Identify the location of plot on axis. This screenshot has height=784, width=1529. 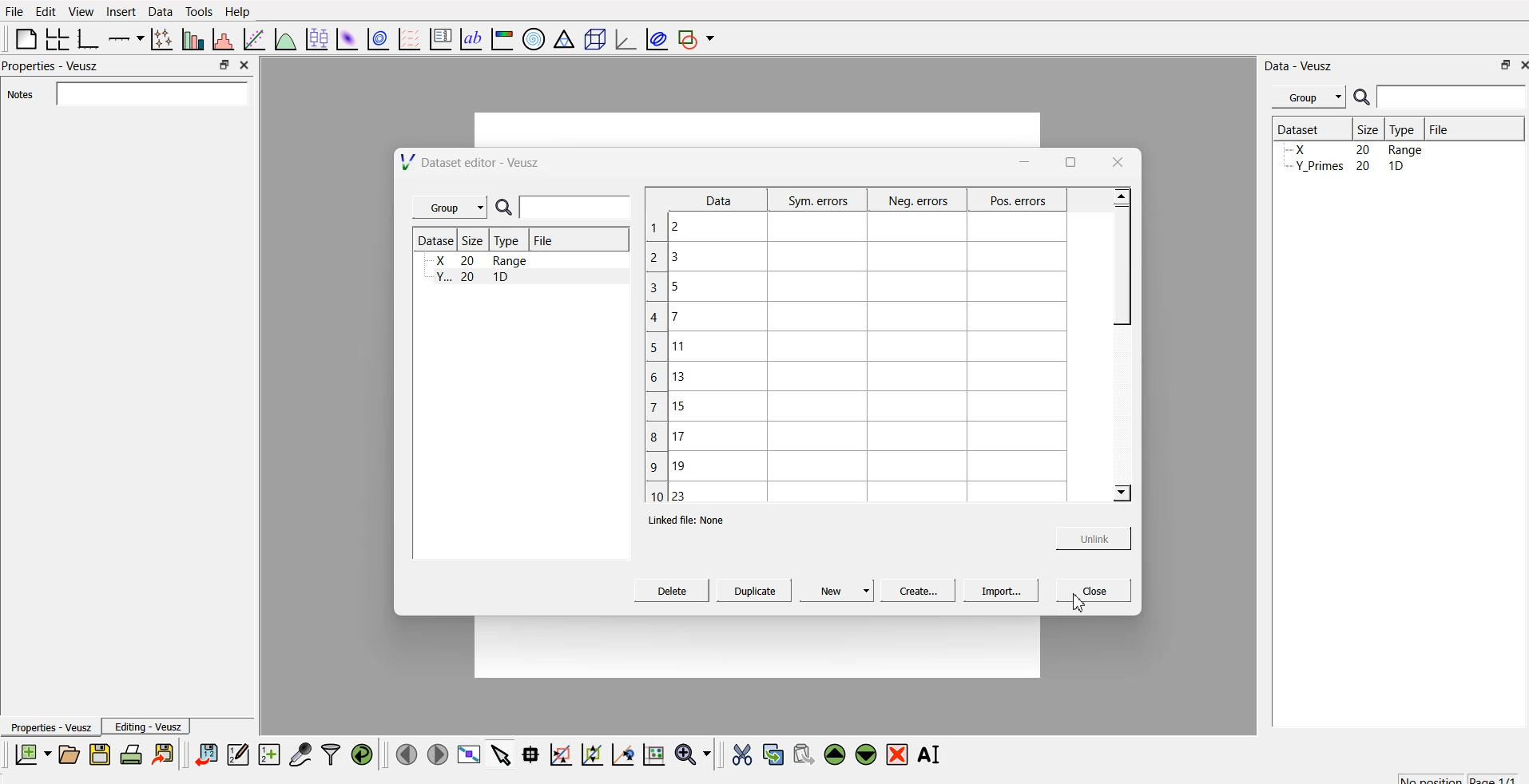
(124, 37).